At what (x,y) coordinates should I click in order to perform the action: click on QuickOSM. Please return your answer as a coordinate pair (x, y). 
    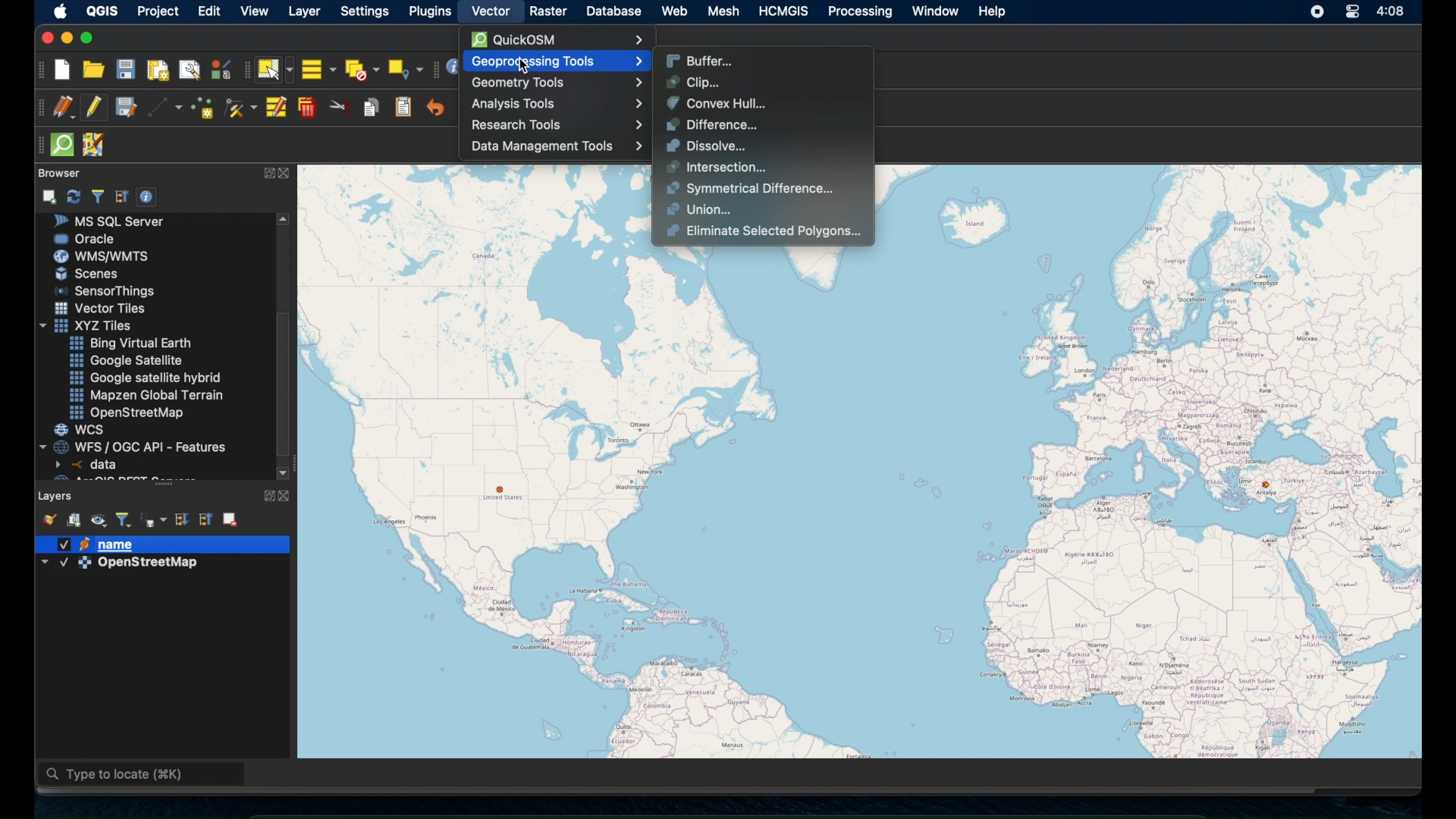
    Looking at the image, I should click on (563, 39).